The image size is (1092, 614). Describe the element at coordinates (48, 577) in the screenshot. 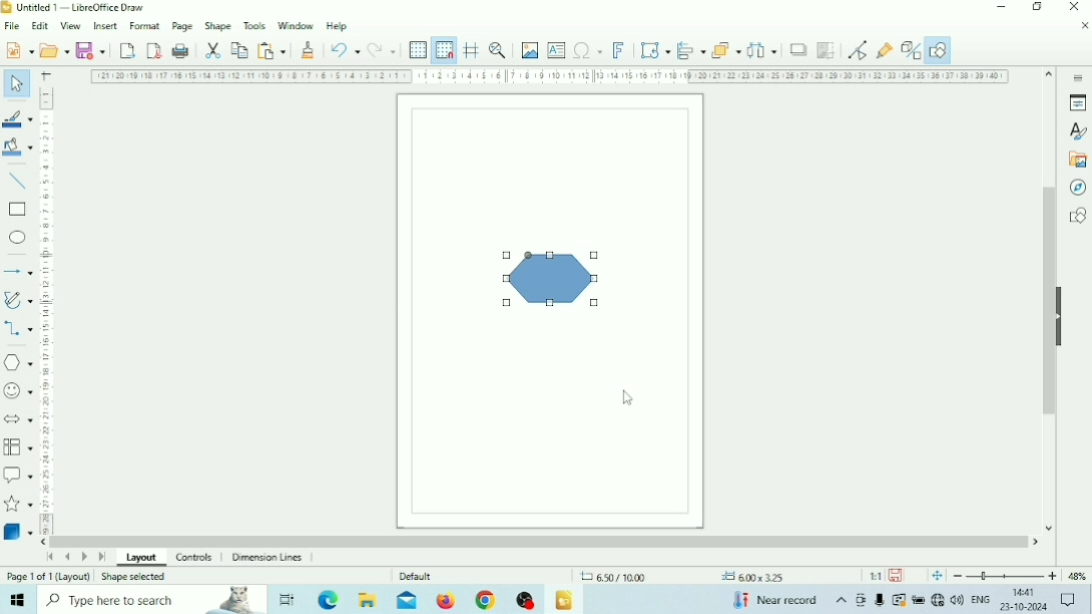

I see `Page number` at that location.